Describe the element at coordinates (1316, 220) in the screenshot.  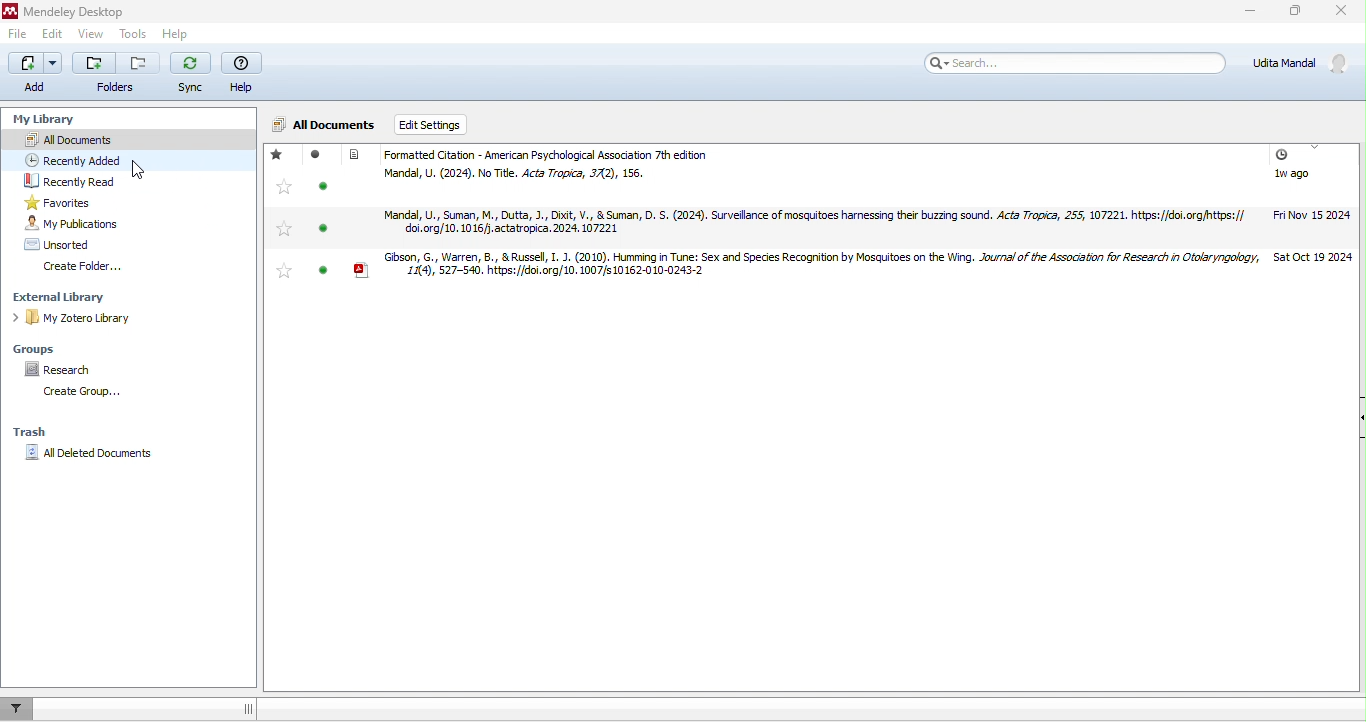
I see `fri nov 15, 2024` at that location.